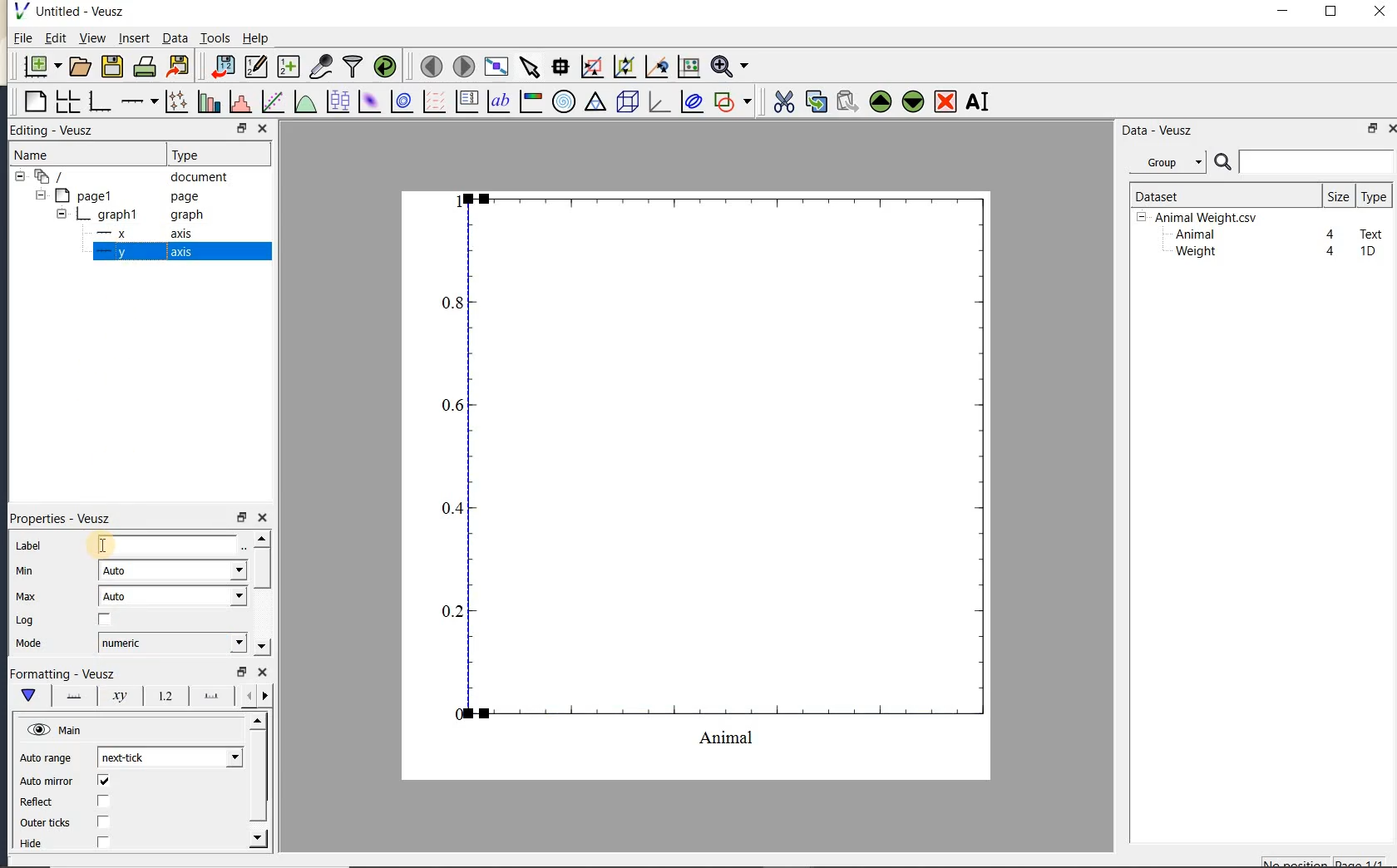  I want to click on text label, so click(498, 103).